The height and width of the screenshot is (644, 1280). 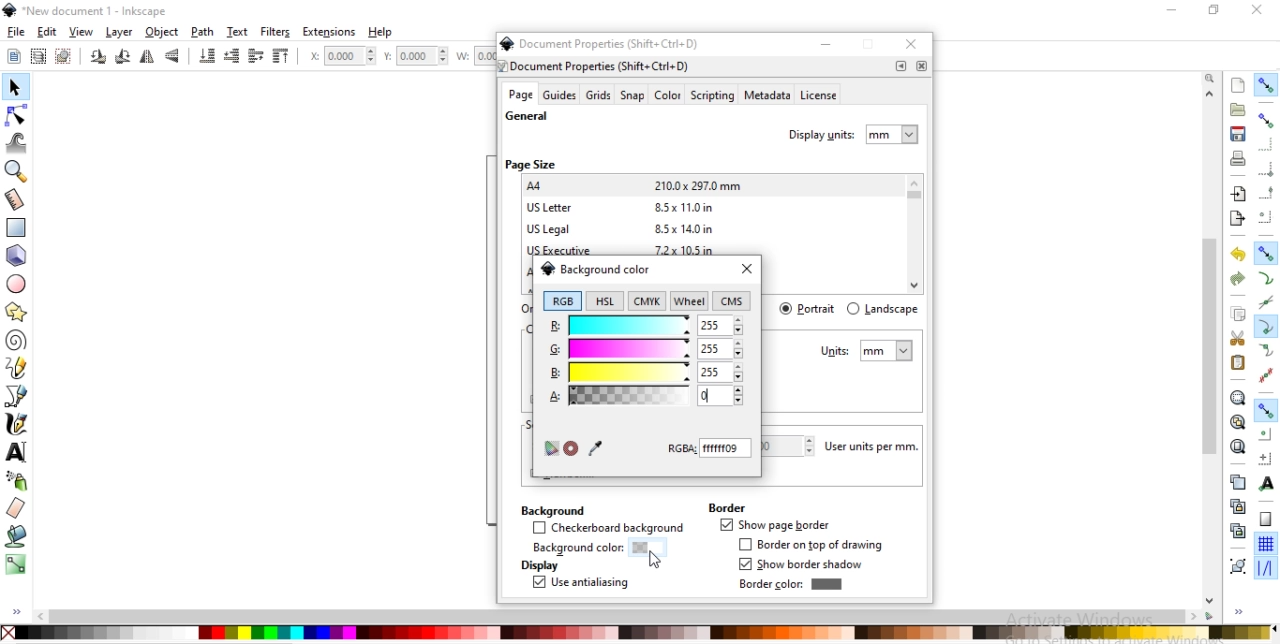 I want to click on vertical coordinate of selection, so click(x=418, y=56).